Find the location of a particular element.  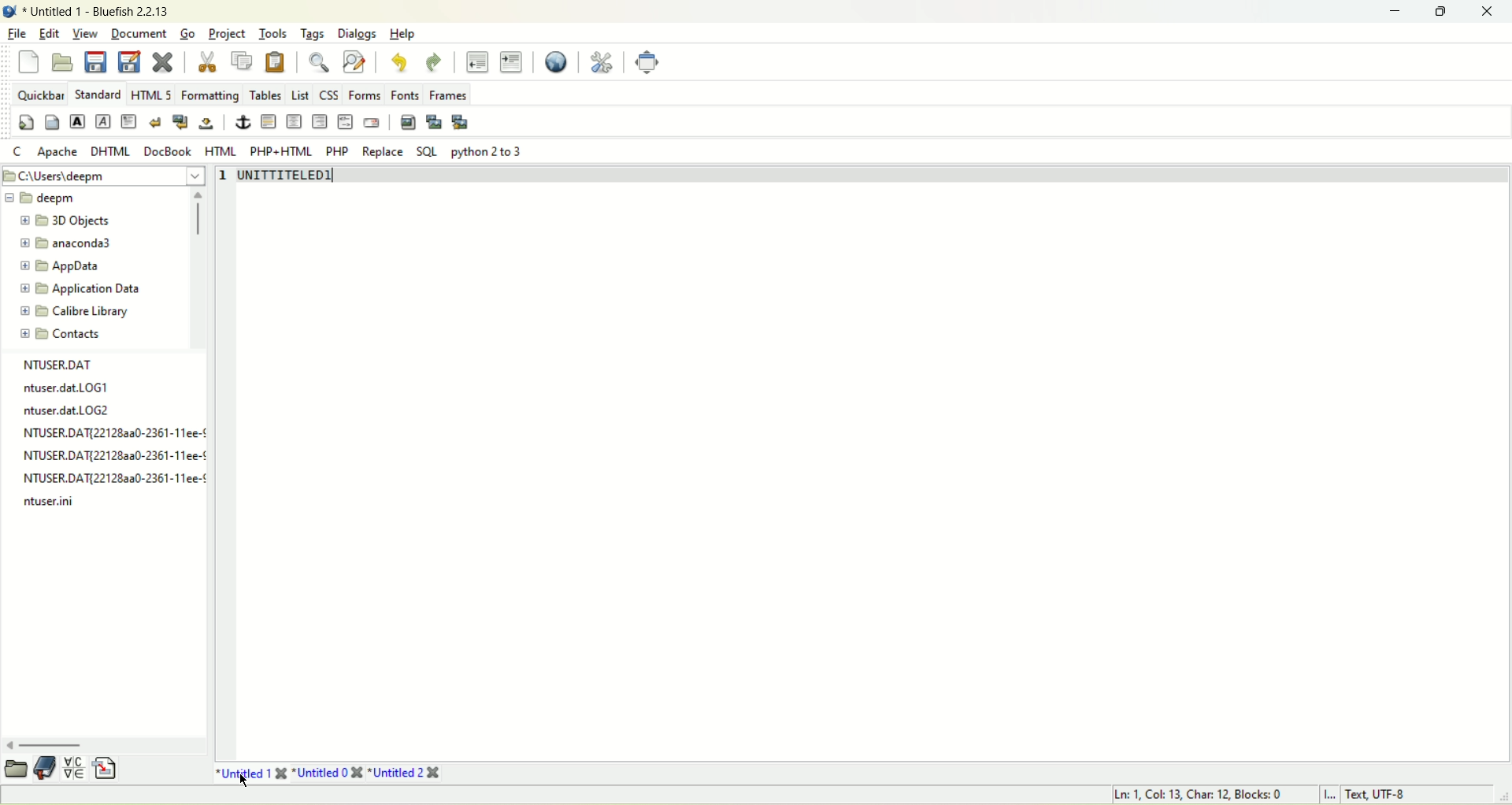

break is located at coordinates (155, 121).